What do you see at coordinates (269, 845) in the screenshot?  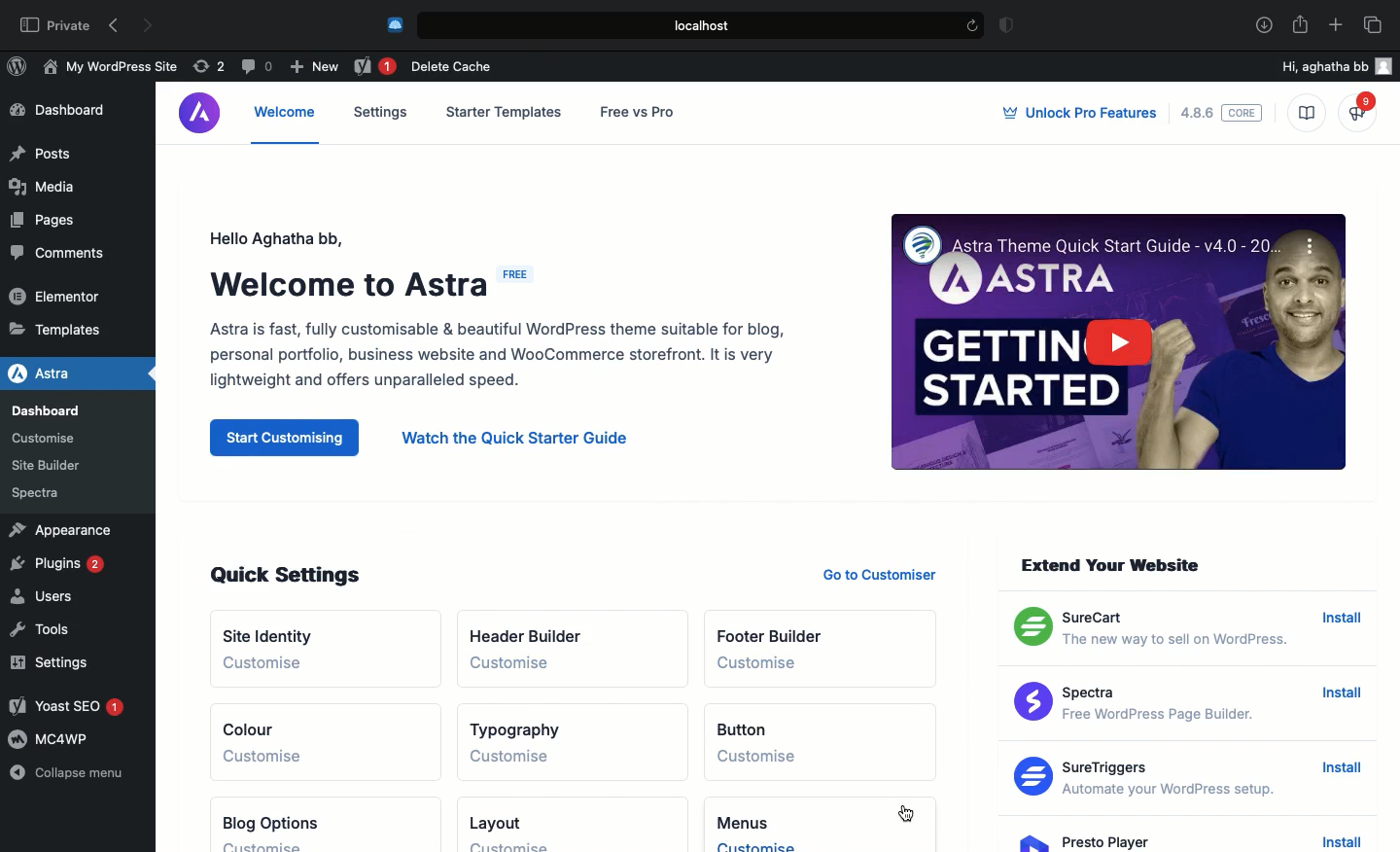 I see `Customize` at bounding box center [269, 845].